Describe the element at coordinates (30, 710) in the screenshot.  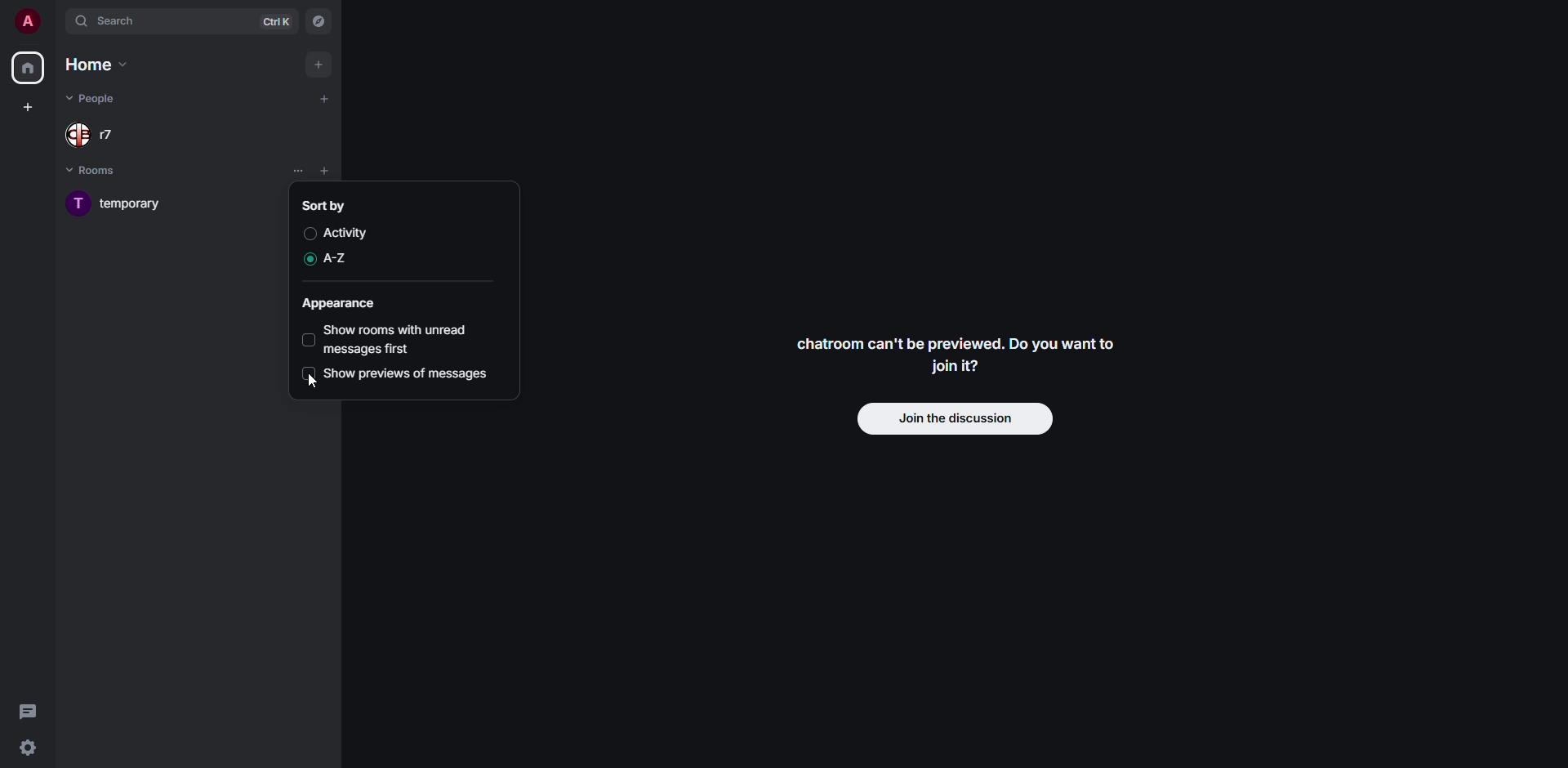
I see `threads` at that location.